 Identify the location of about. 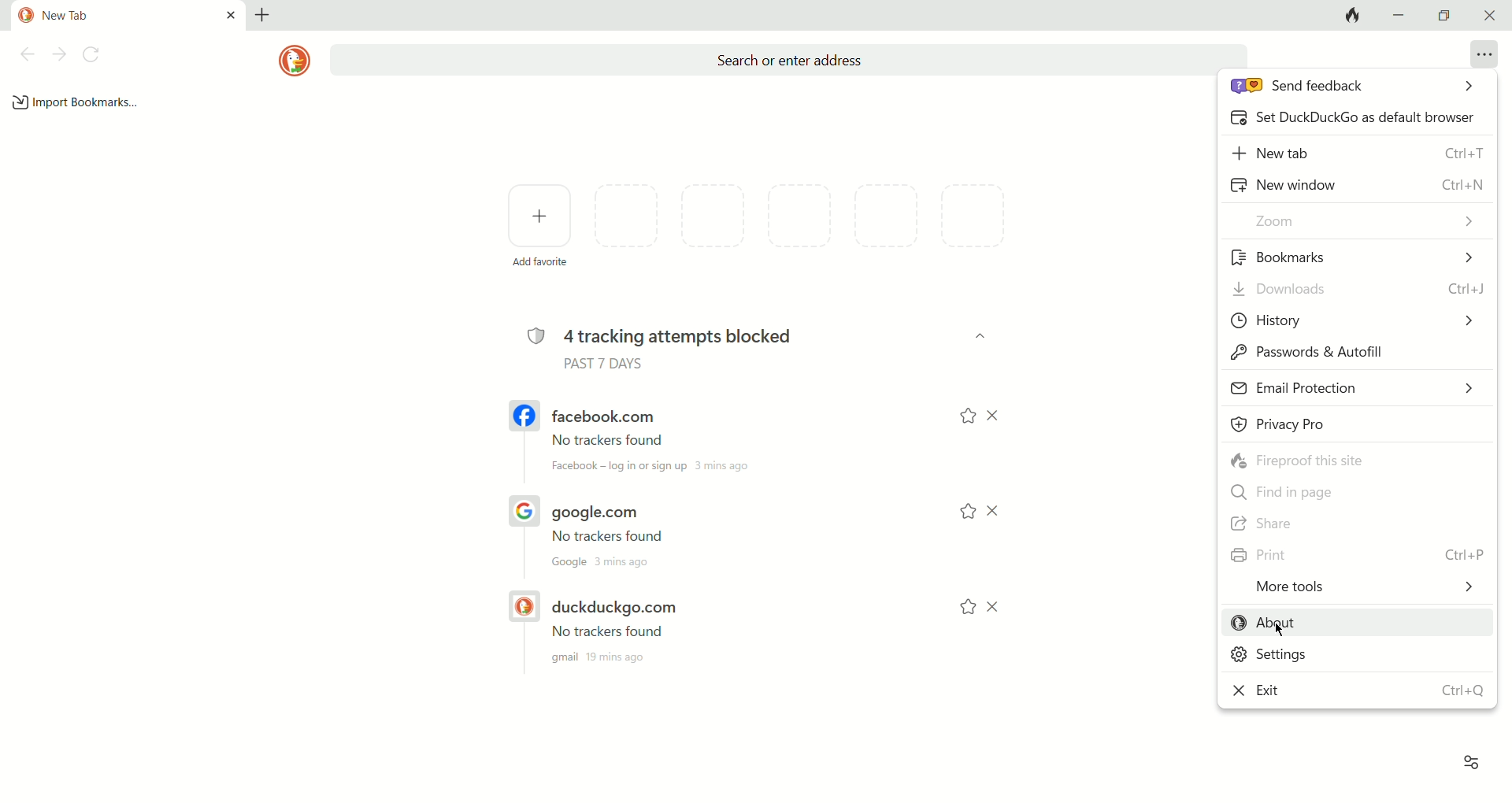
(1355, 623).